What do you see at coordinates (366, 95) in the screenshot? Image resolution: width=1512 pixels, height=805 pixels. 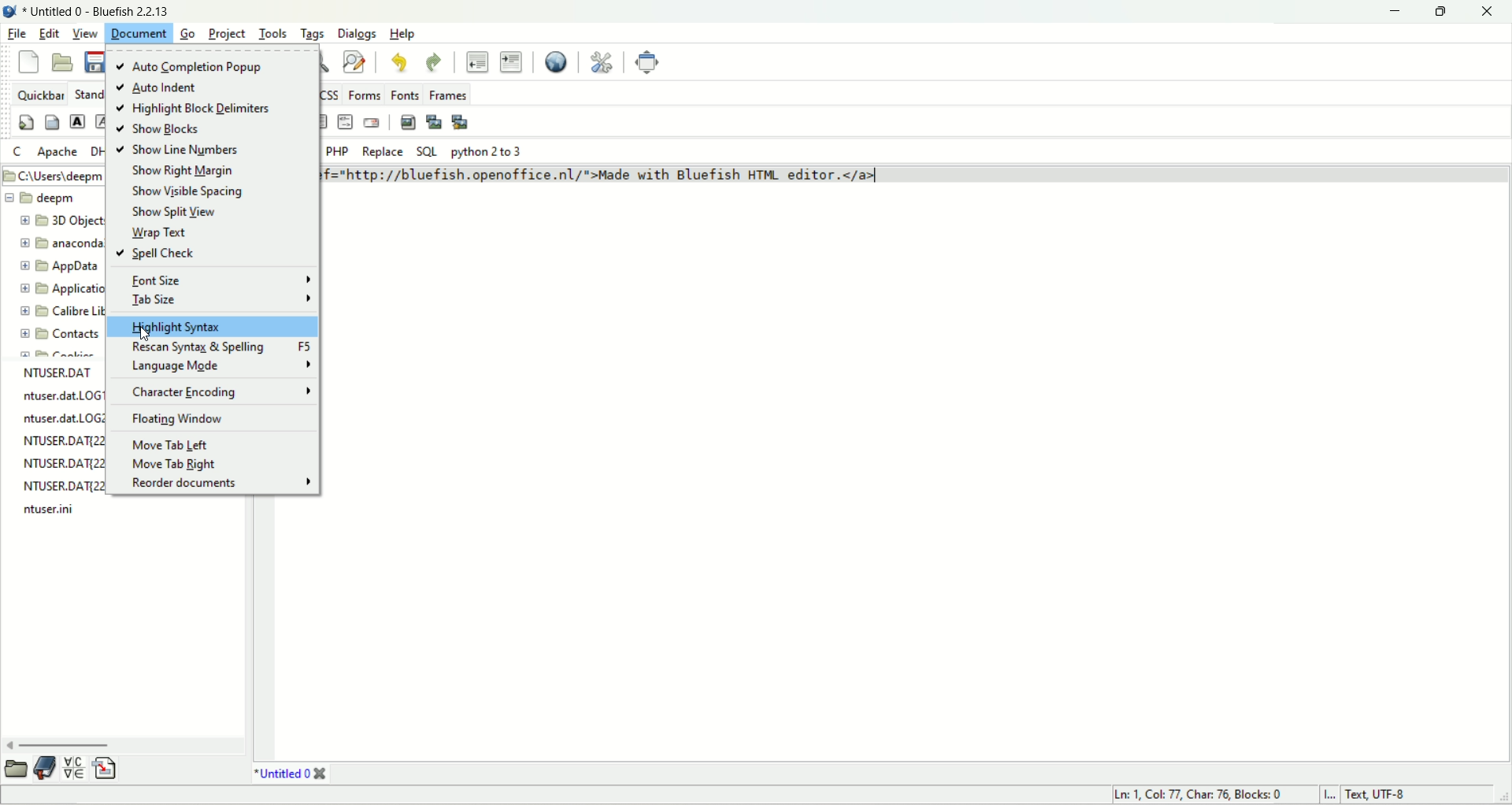 I see `forms` at bounding box center [366, 95].